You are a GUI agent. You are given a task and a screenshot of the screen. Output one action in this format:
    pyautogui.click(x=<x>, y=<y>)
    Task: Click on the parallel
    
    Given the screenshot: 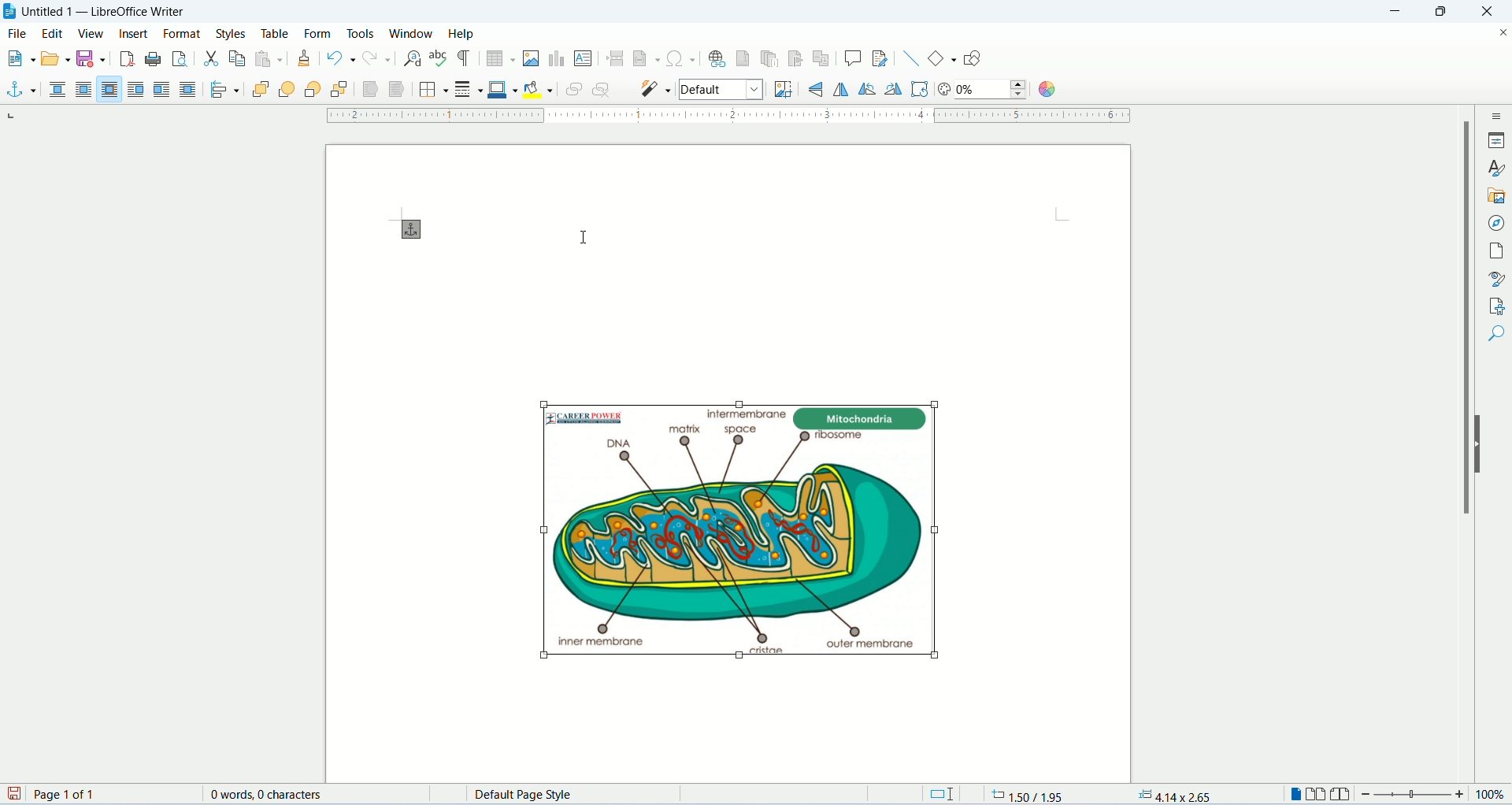 What is the action you would take?
    pyautogui.click(x=87, y=90)
    